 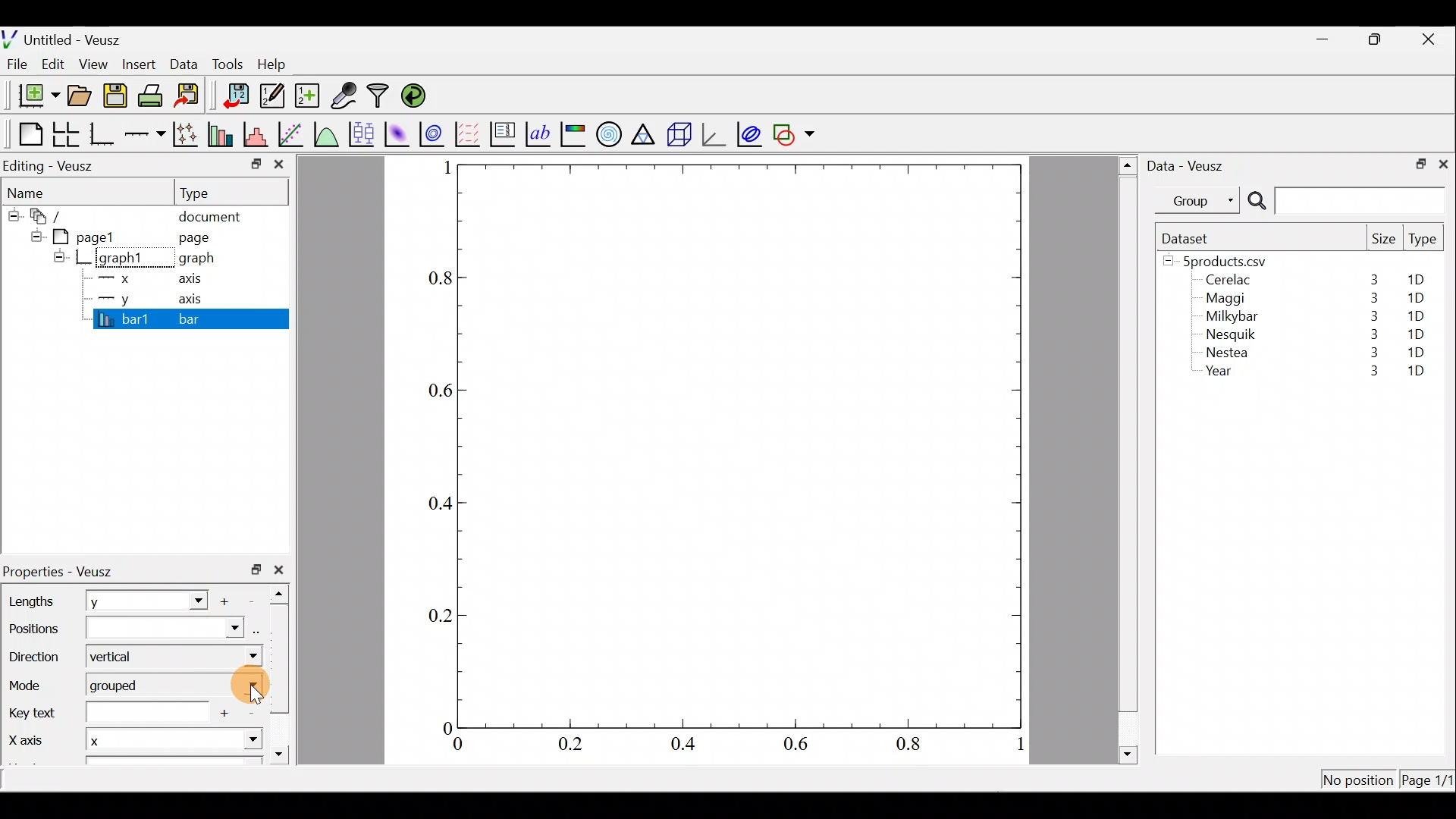 What do you see at coordinates (120, 658) in the screenshot?
I see `Vertical` at bounding box center [120, 658].